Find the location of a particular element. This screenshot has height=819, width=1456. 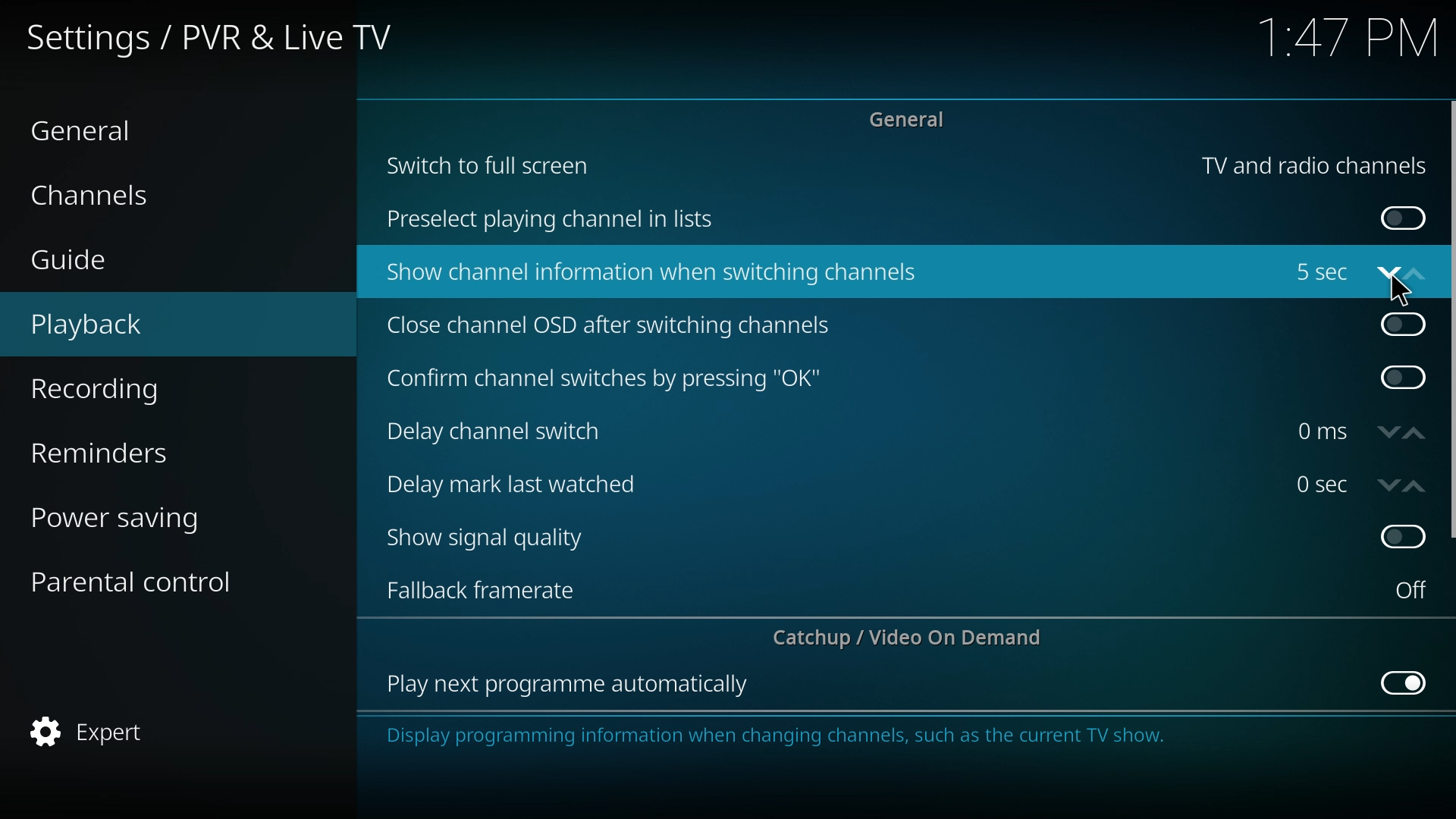

scroll bar is located at coordinates (1450, 320).